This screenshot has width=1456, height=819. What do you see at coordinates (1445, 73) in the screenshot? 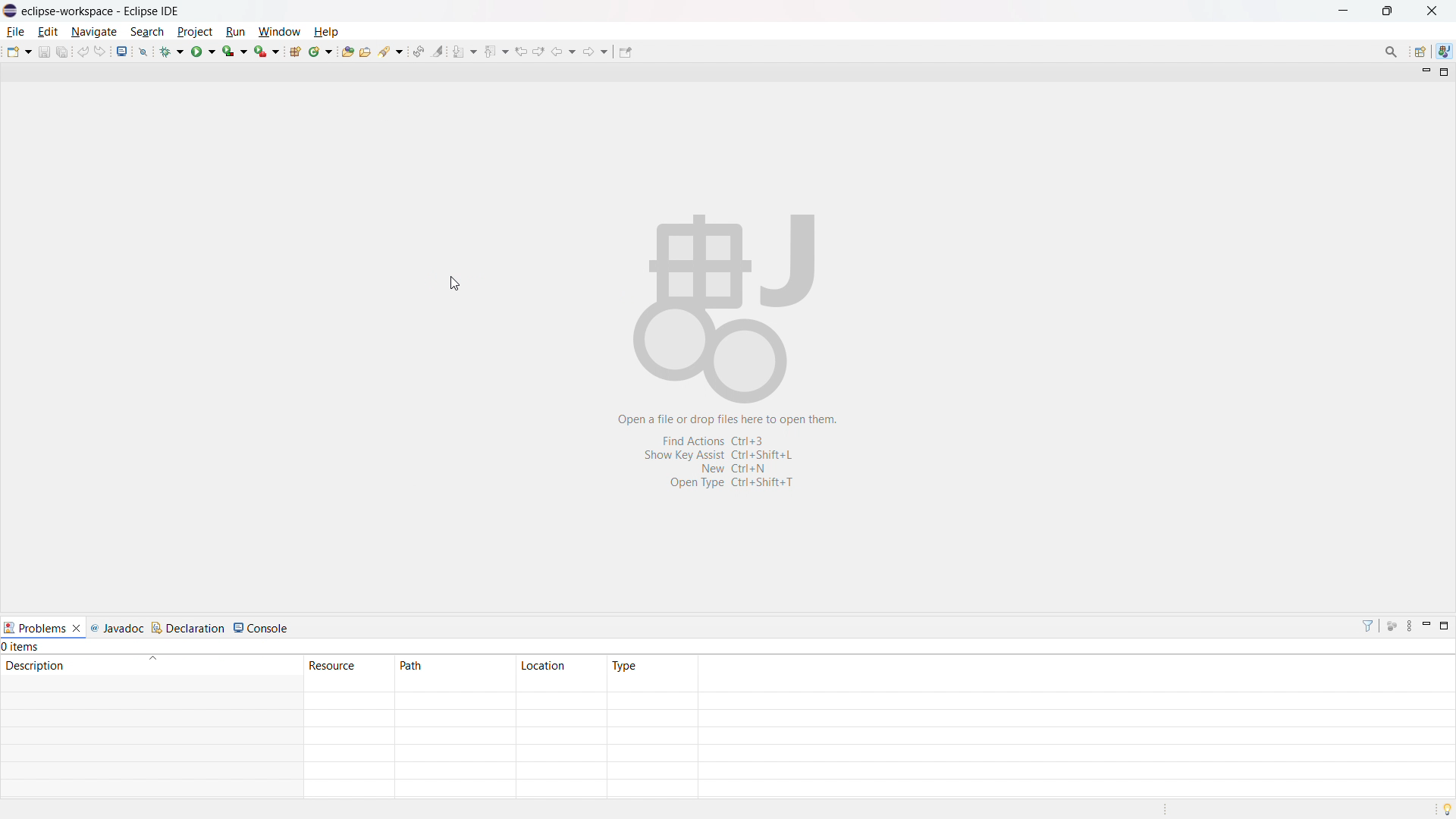
I see `maximize` at bounding box center [1445, 73].